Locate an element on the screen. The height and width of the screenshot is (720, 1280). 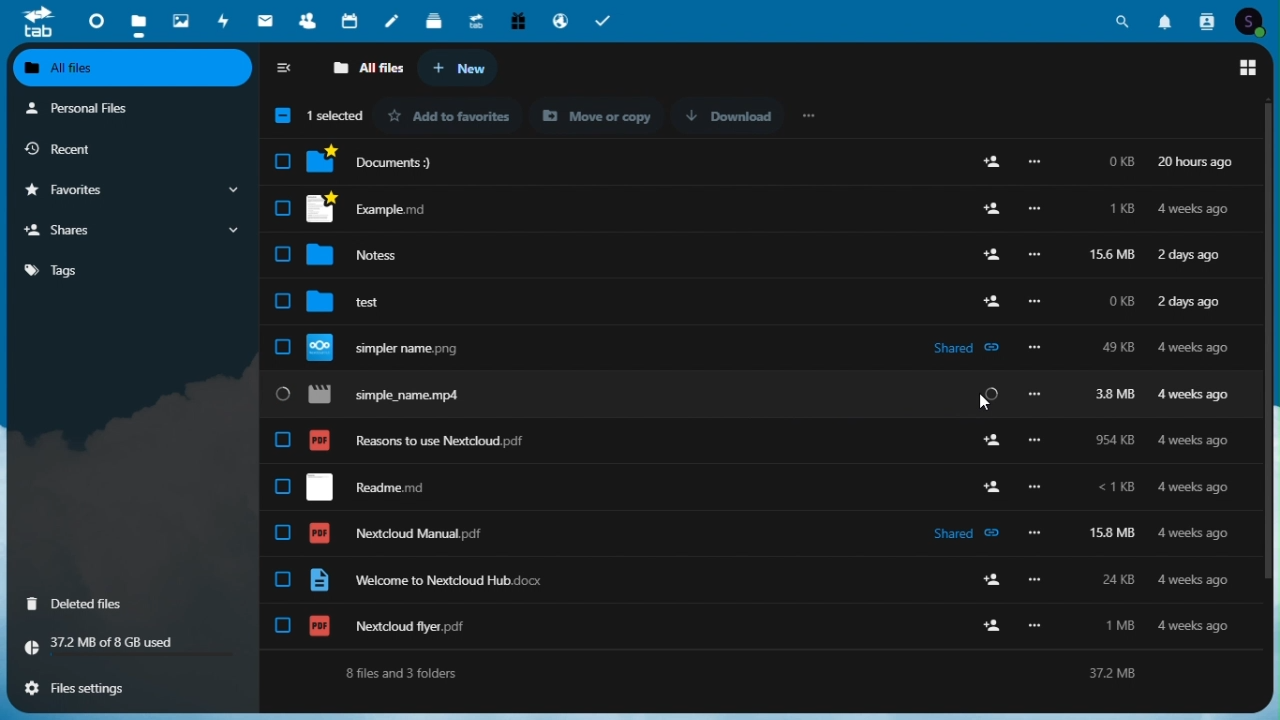
size is located at coordinates (1124, 119).